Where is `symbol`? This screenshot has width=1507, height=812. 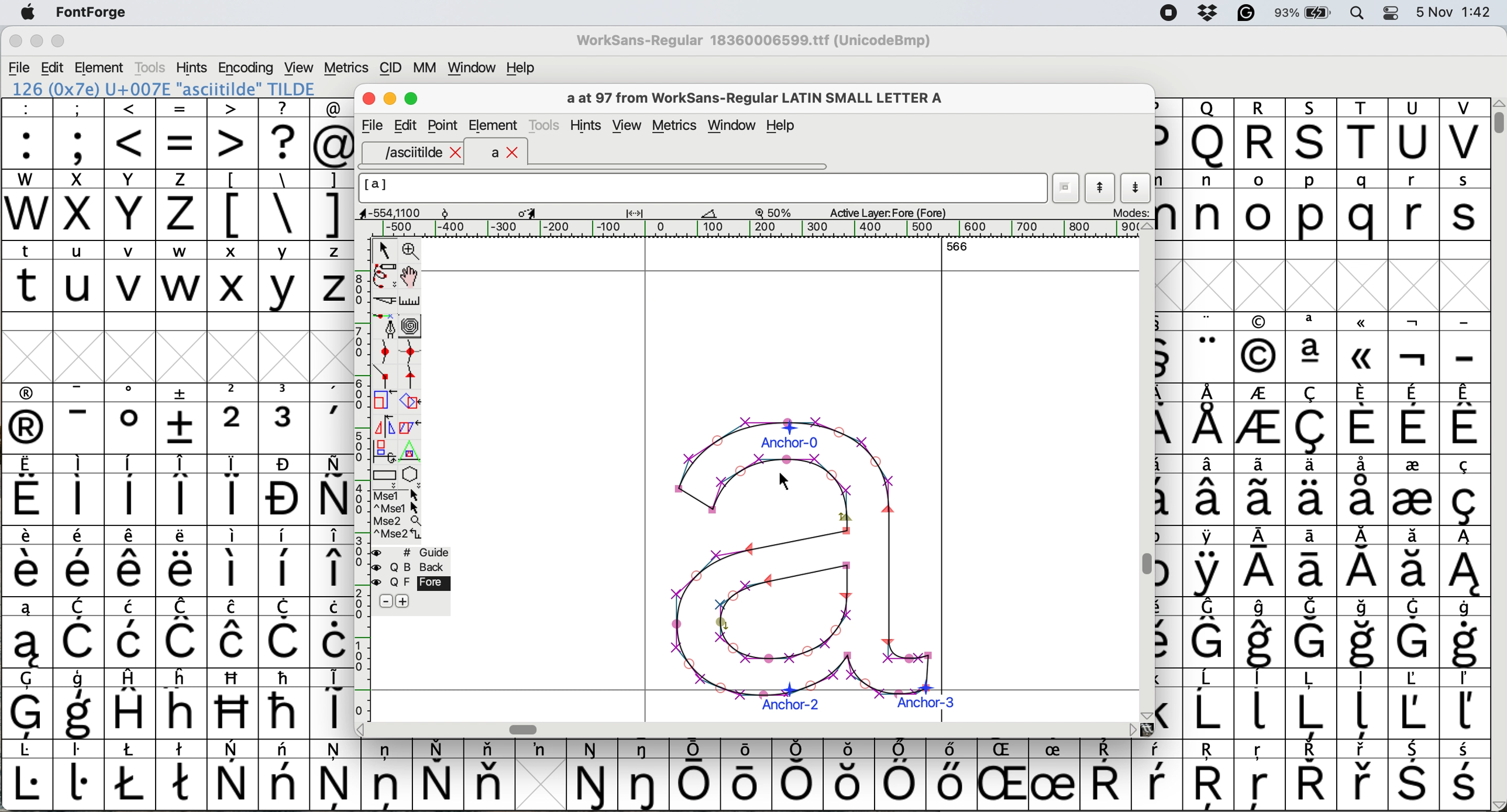 symbol is located at coordinates (130, 490).